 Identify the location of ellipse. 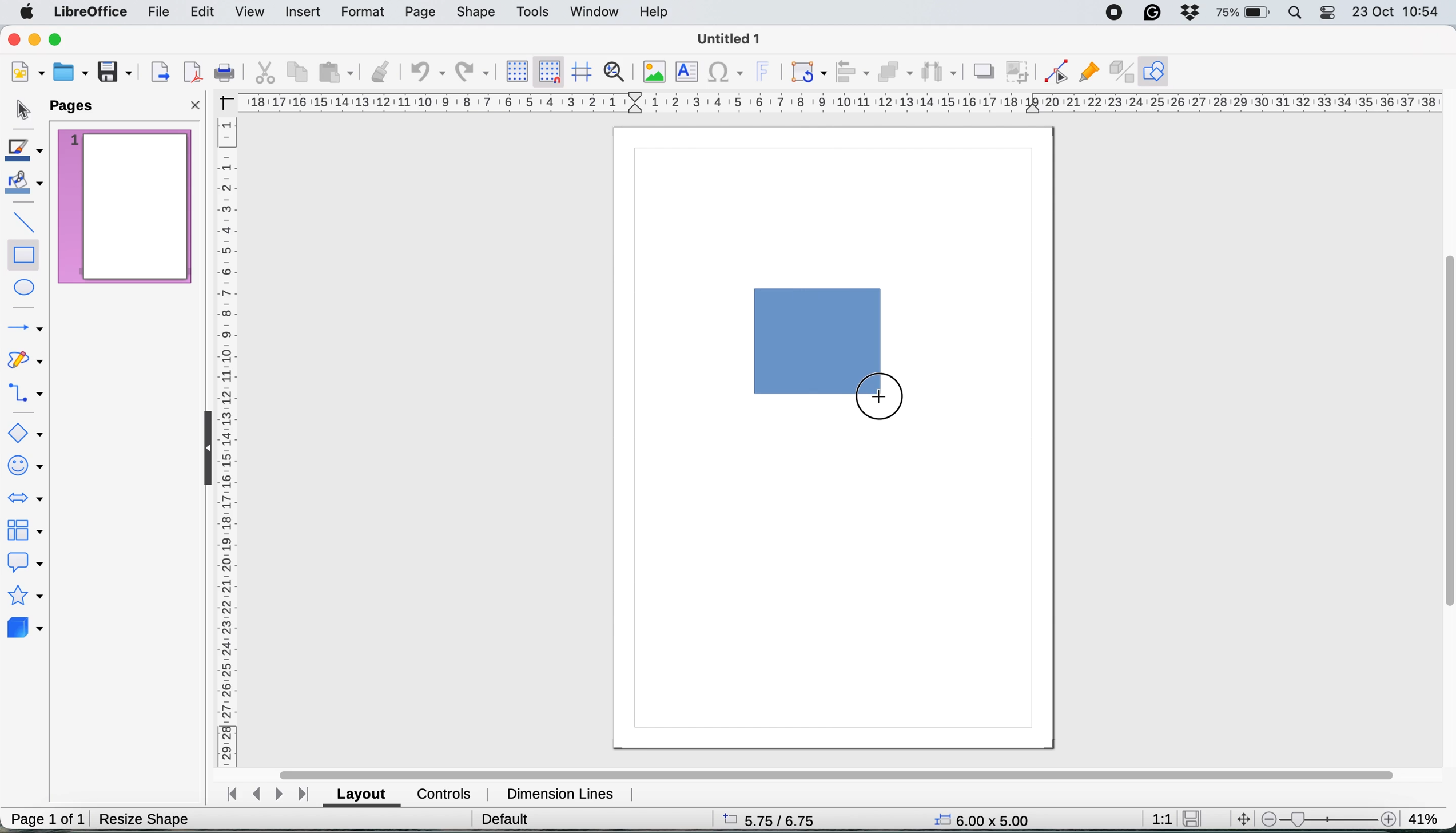
(27, 286).